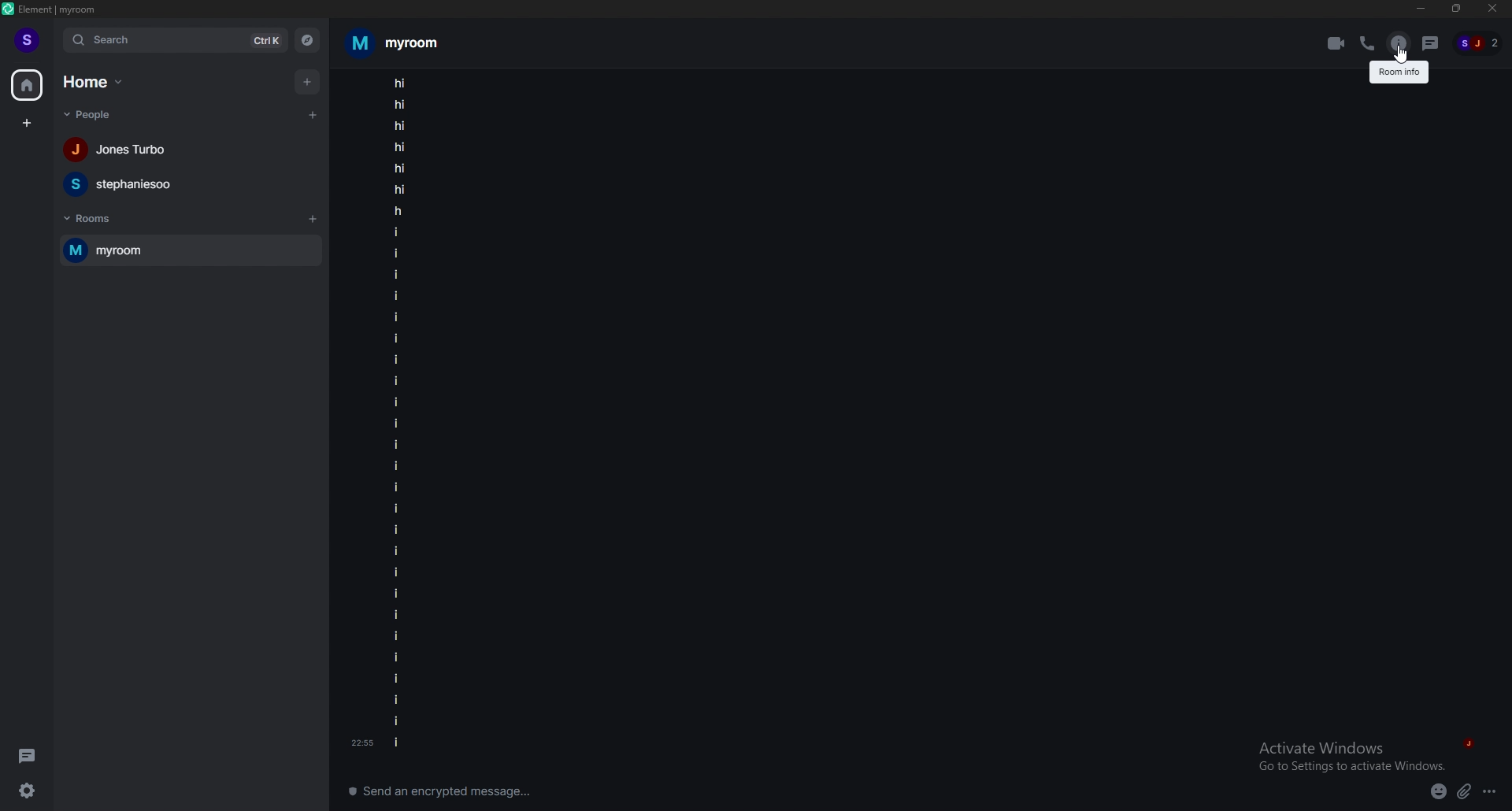 This screenshot has width=1512, height=811. Describe the element at coordinates (121, 150) in the screenshot. I see `people` at that location.